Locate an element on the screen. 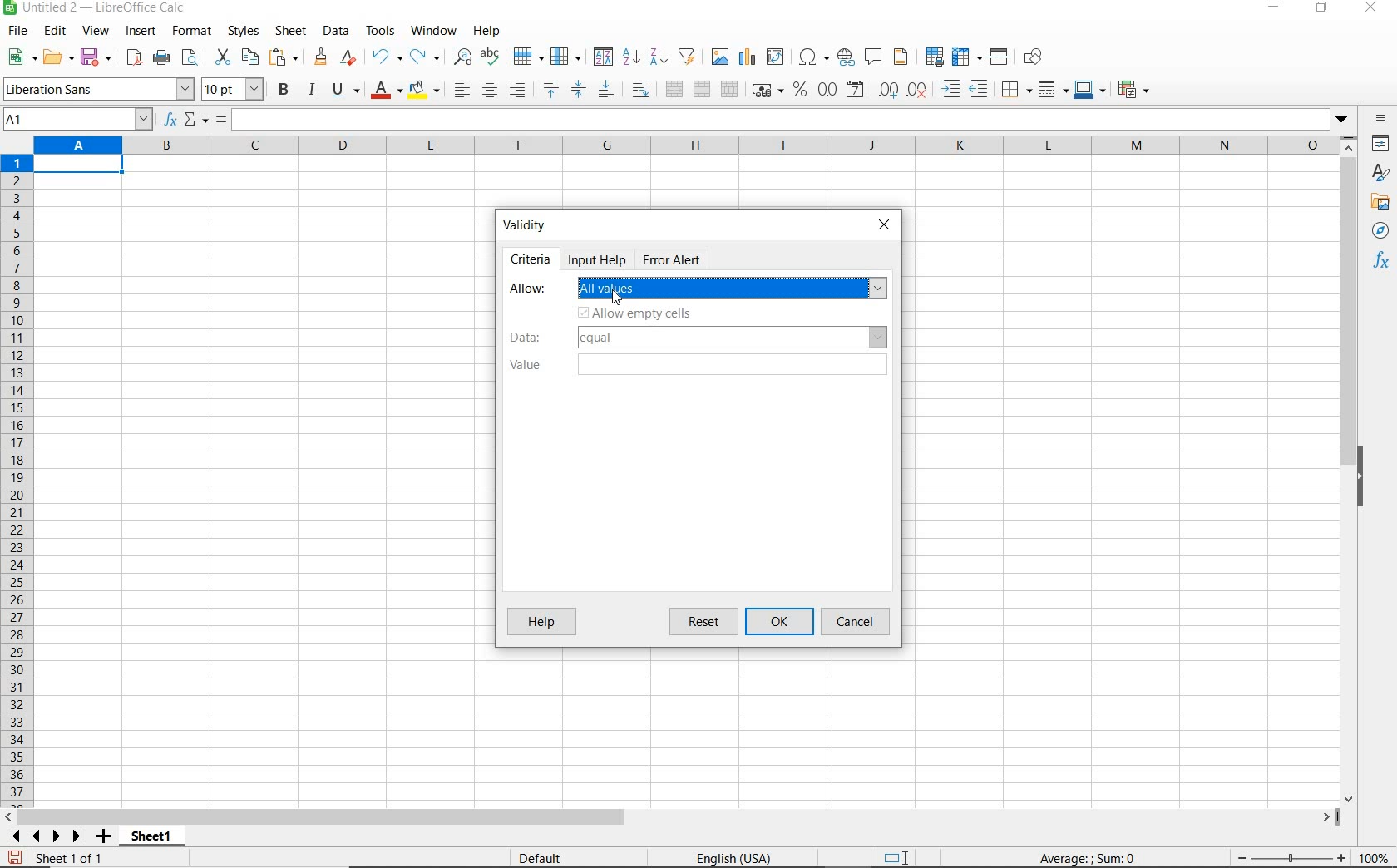  decrease indent is located at coordinates (983, 89).